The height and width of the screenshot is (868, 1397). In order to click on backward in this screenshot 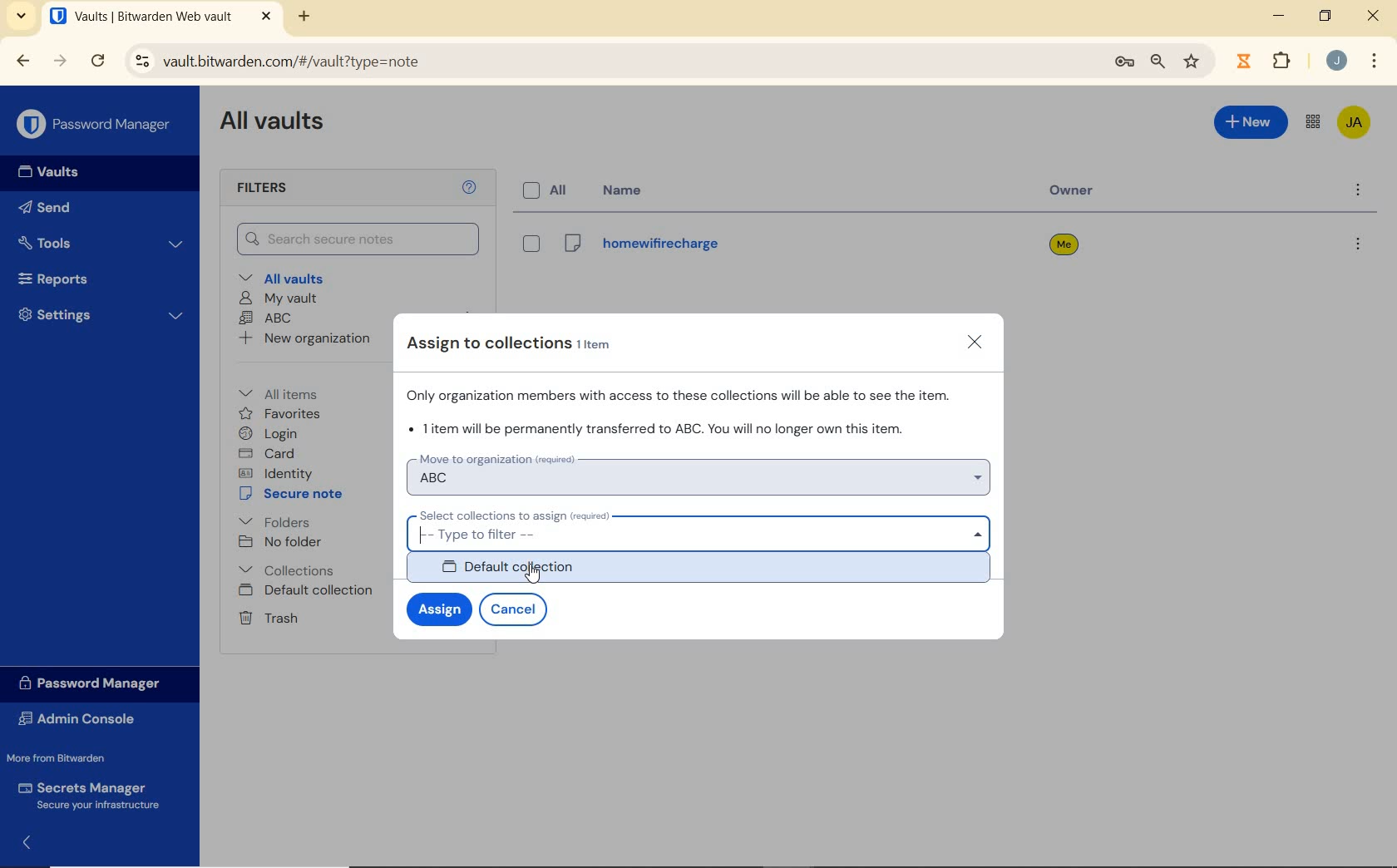, I will do `click(23, 62)`.